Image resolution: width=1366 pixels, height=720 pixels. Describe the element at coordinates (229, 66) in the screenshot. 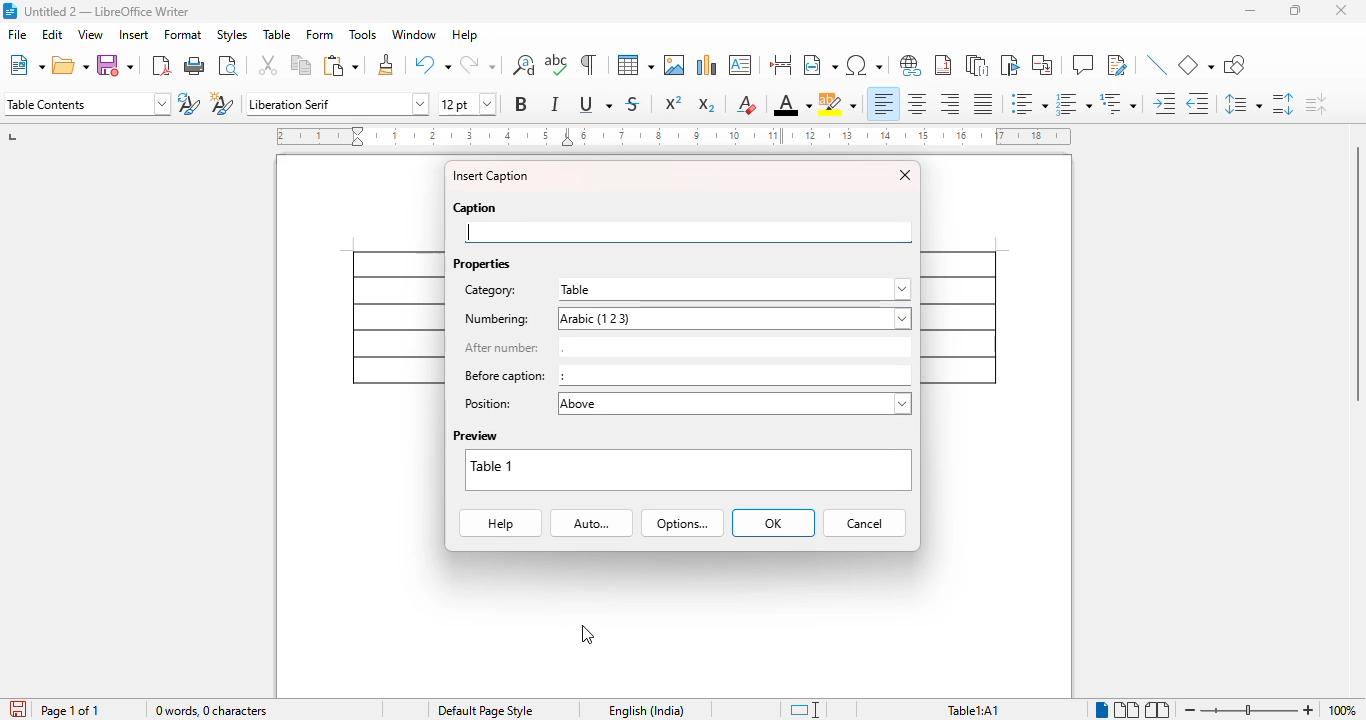

I see `toggle print preview` at that location.